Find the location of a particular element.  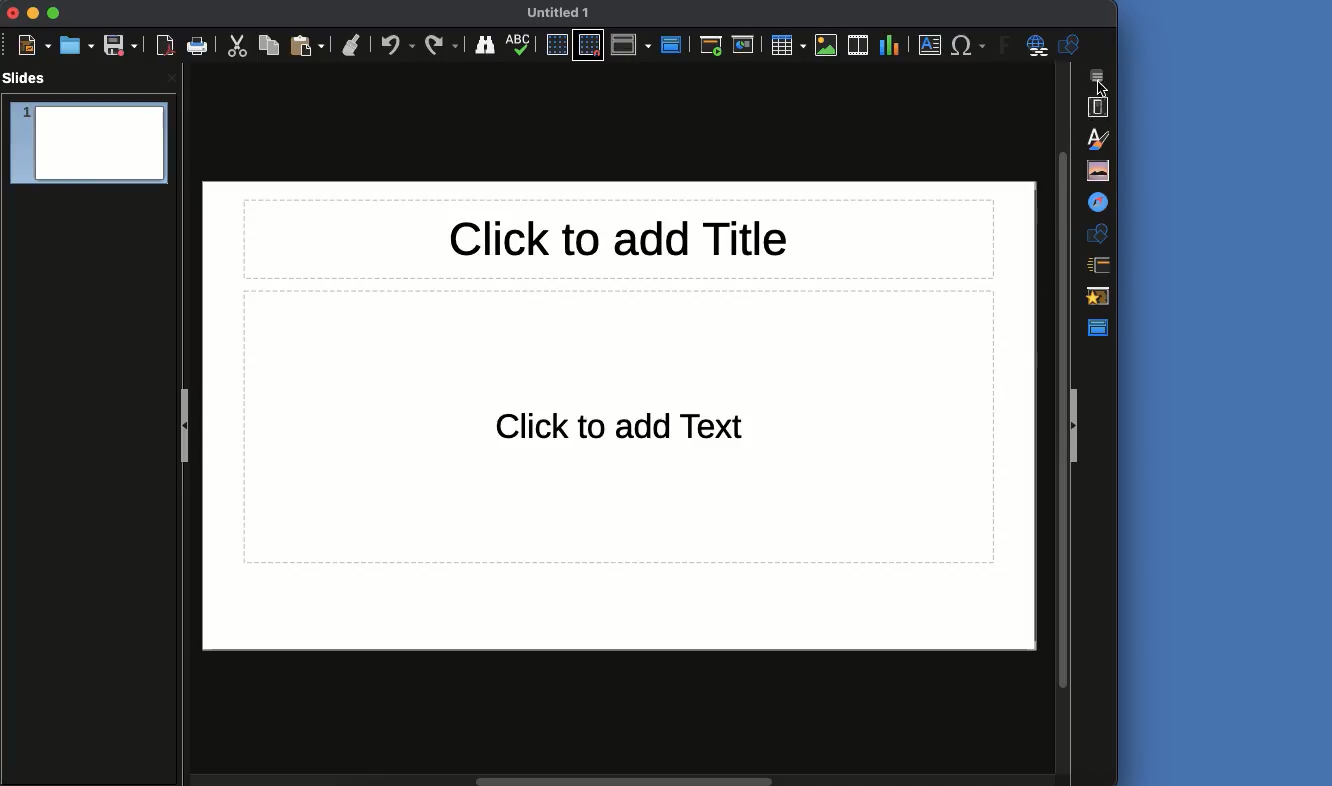

Collapse is located at coordinates (183, 423).